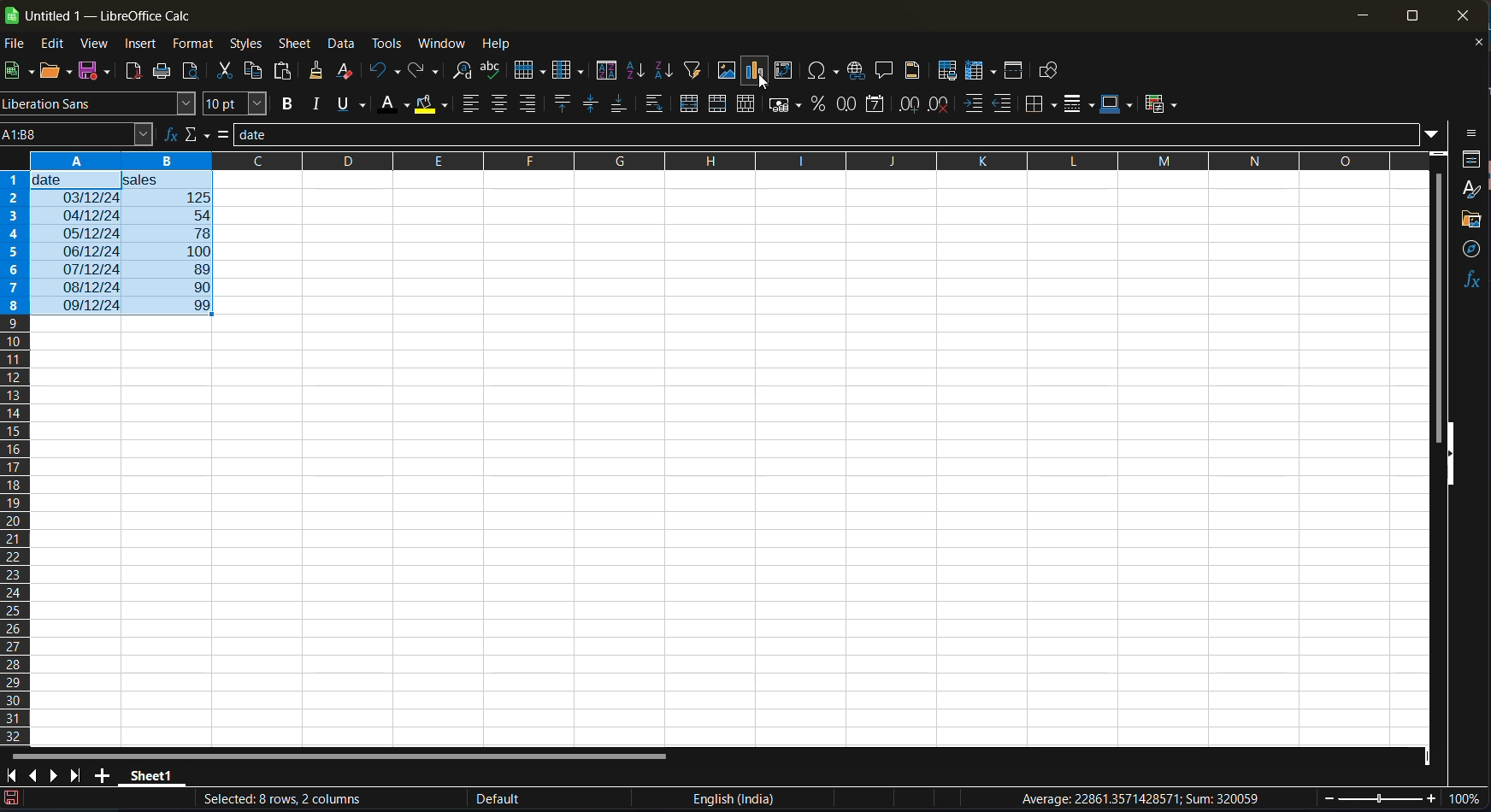 The height and width of the screenshot is (812, 1491). I want to click on name box, so click(79, 135).